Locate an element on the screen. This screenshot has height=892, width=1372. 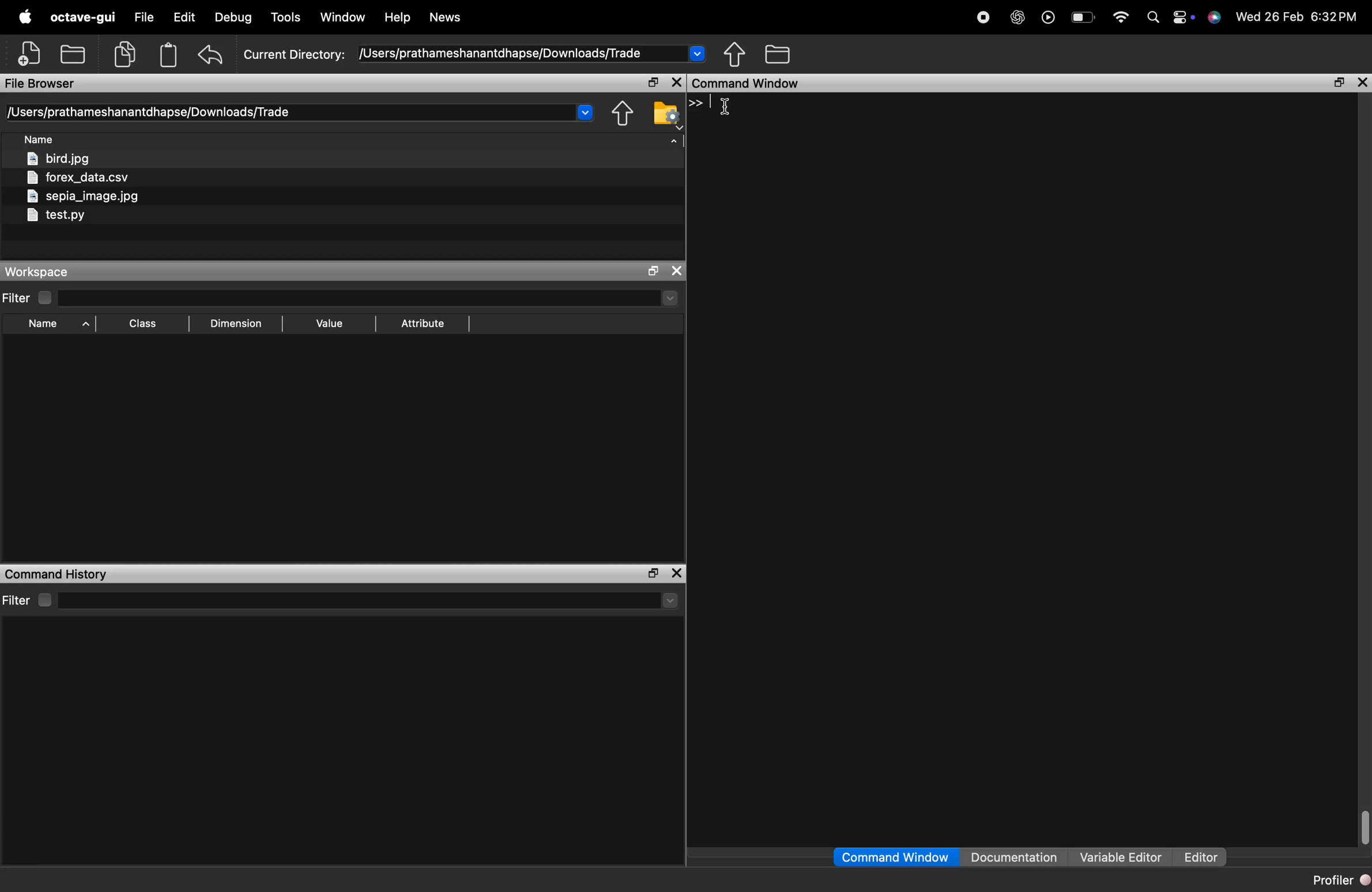
record is located at coordinates (982, 16).